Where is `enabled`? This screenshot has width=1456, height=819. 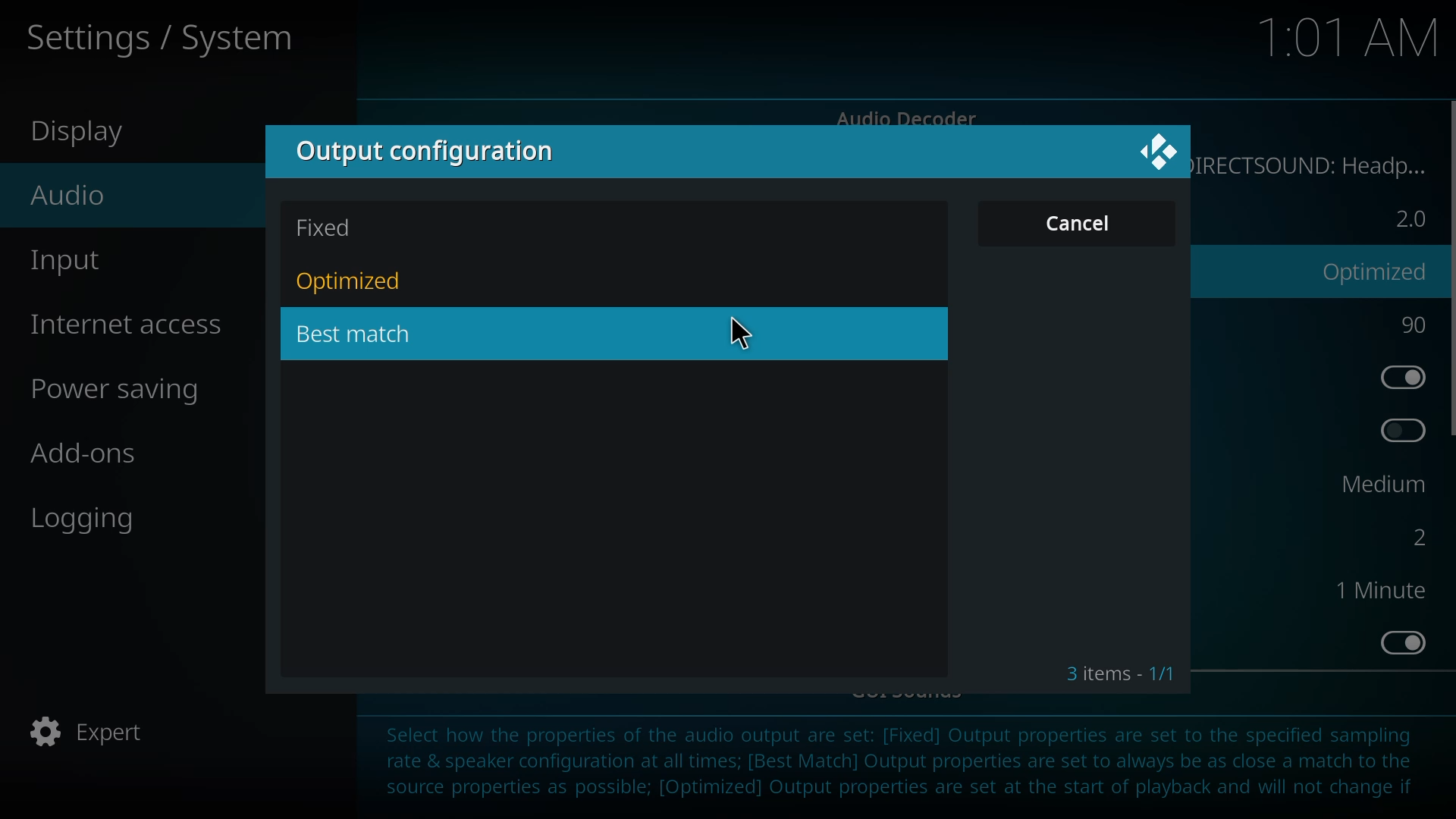
enabled is located at coordinates (1398, 641).